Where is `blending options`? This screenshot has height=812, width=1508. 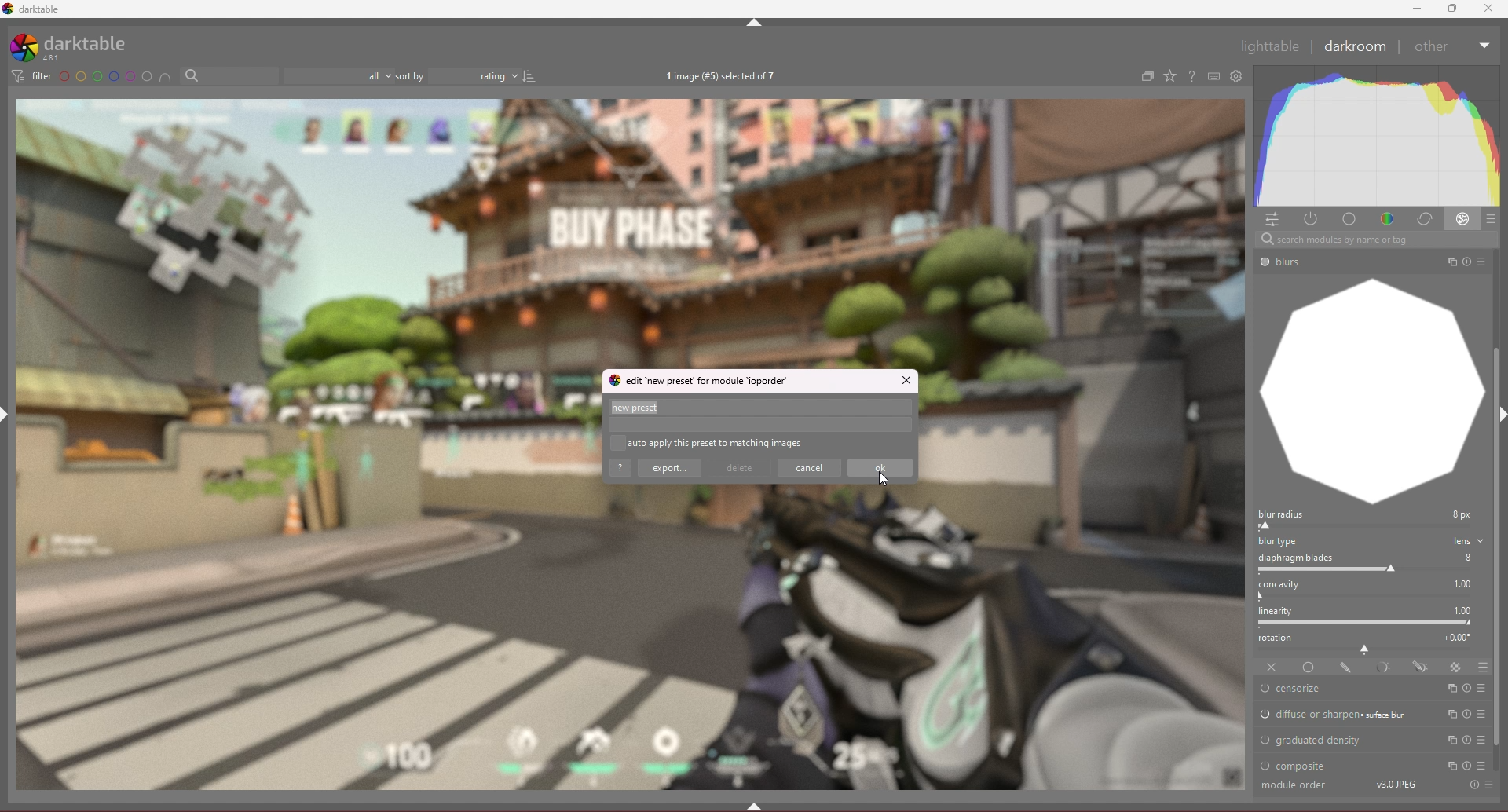
blending options is located at coordinates (1483, 668).